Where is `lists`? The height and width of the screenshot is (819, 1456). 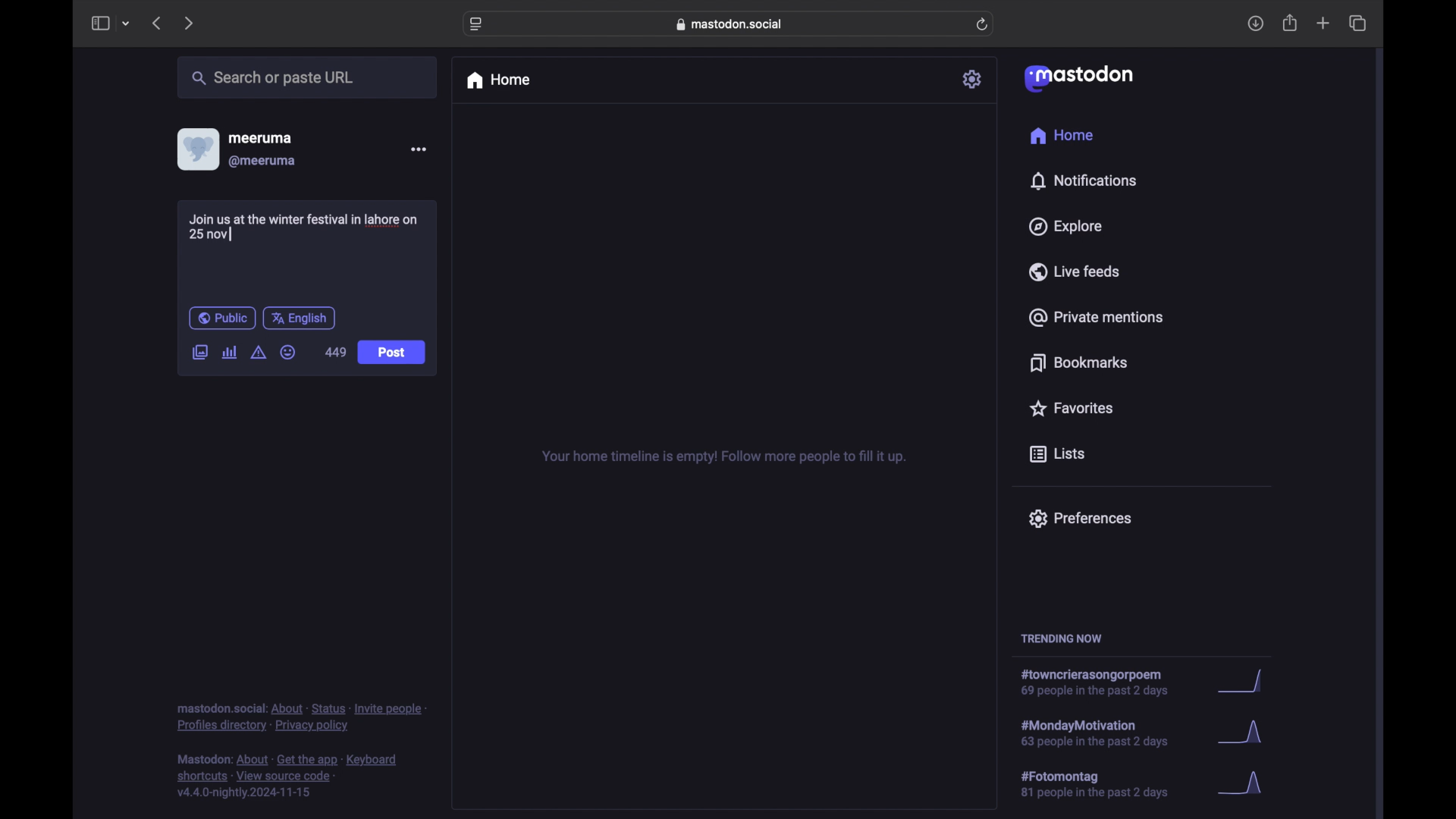 lists is located at coordinates (1057, 455).